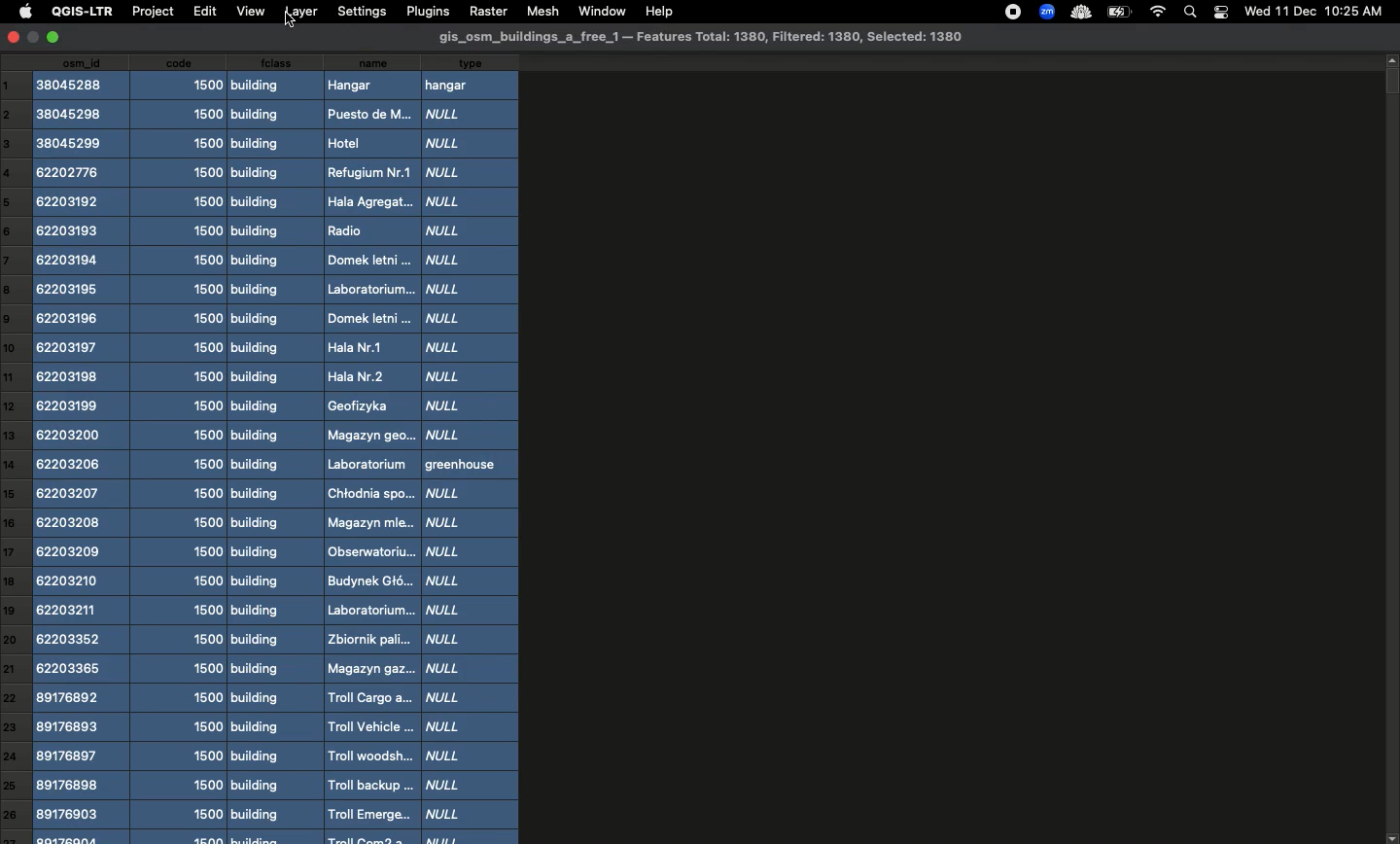 The image size is (1400, 844). I want to click on Settings, so click(361, 11).